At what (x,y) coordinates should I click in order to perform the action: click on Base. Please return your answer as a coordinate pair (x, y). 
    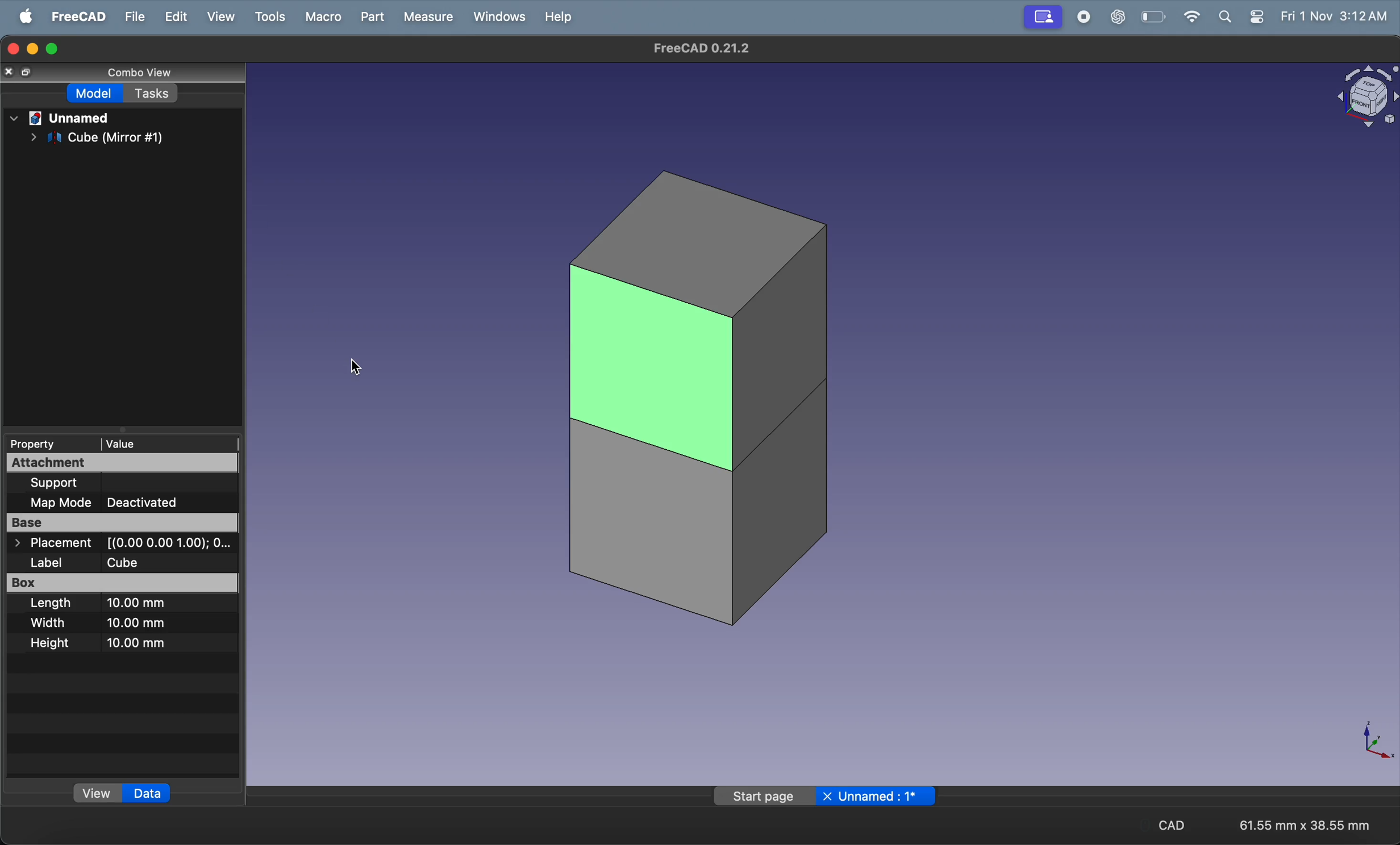
    Looking at the image, I should click on (121, 522).